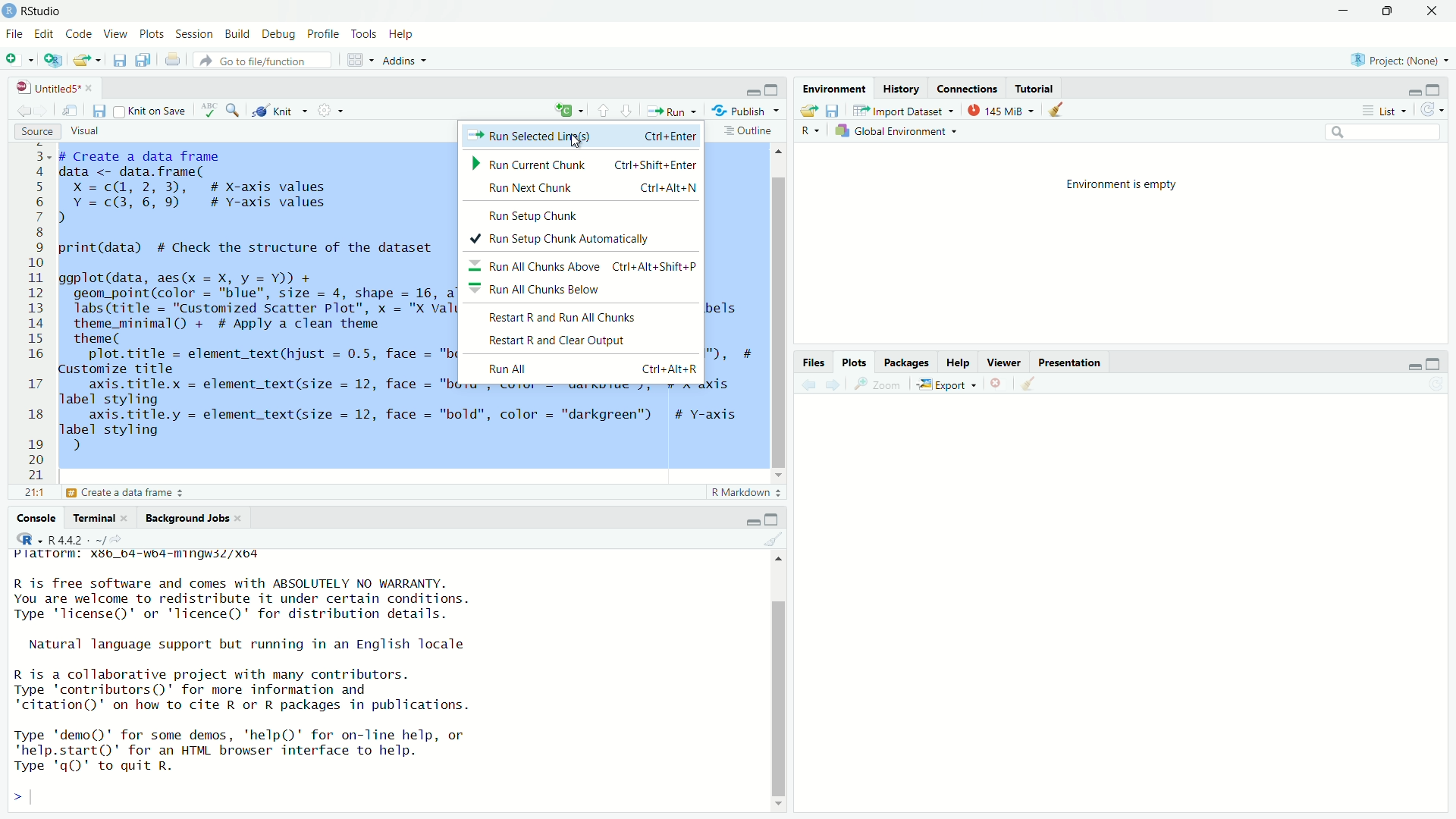 Image resolution: width=1456 pixels, height=819 pixels. Describe the element at coordinates (173, 60) in the screenshot. I see `Print the current file` at that location.